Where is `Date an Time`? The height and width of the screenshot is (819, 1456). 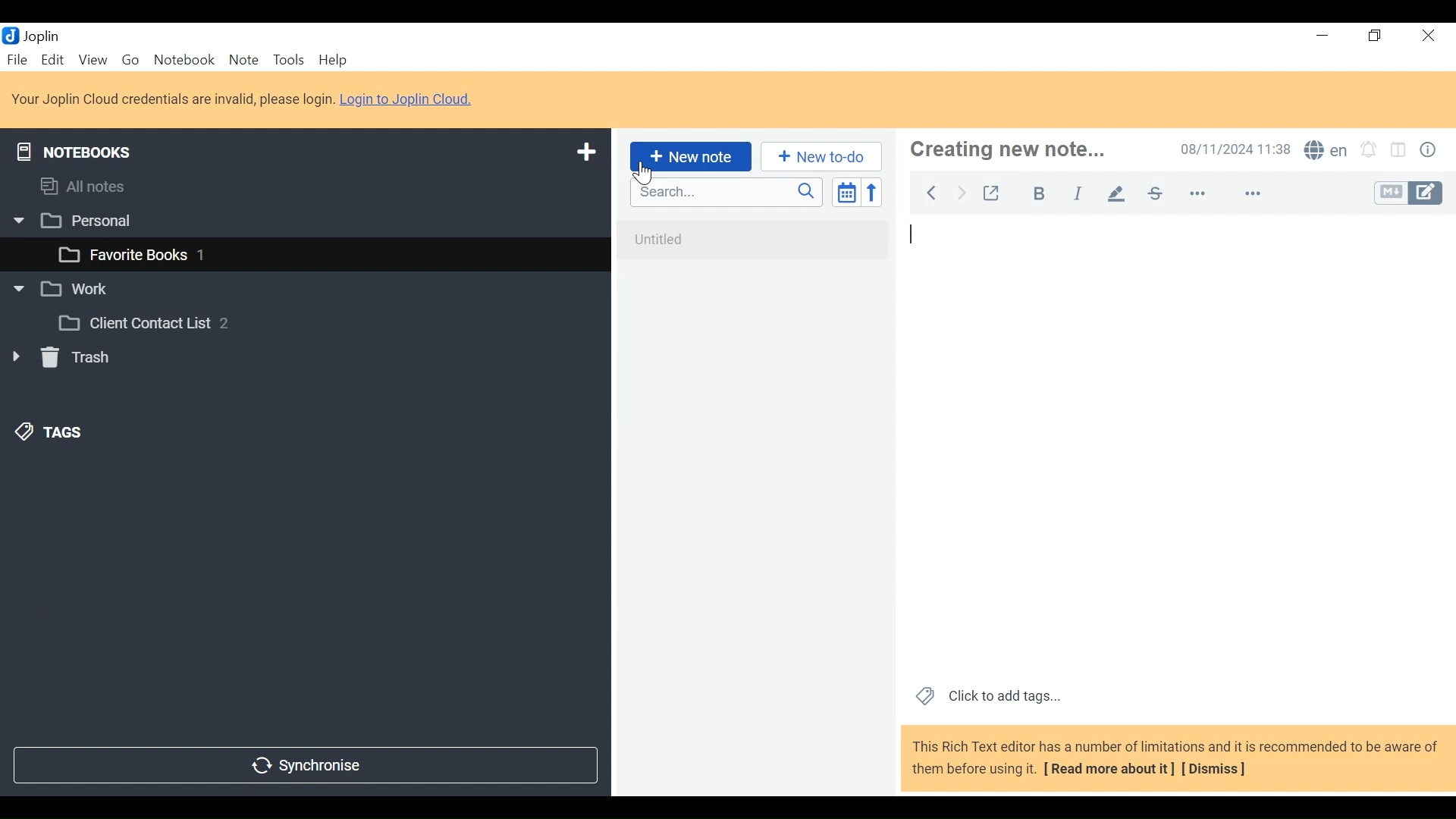
Date an Time is located at coordinates (1235, 149).